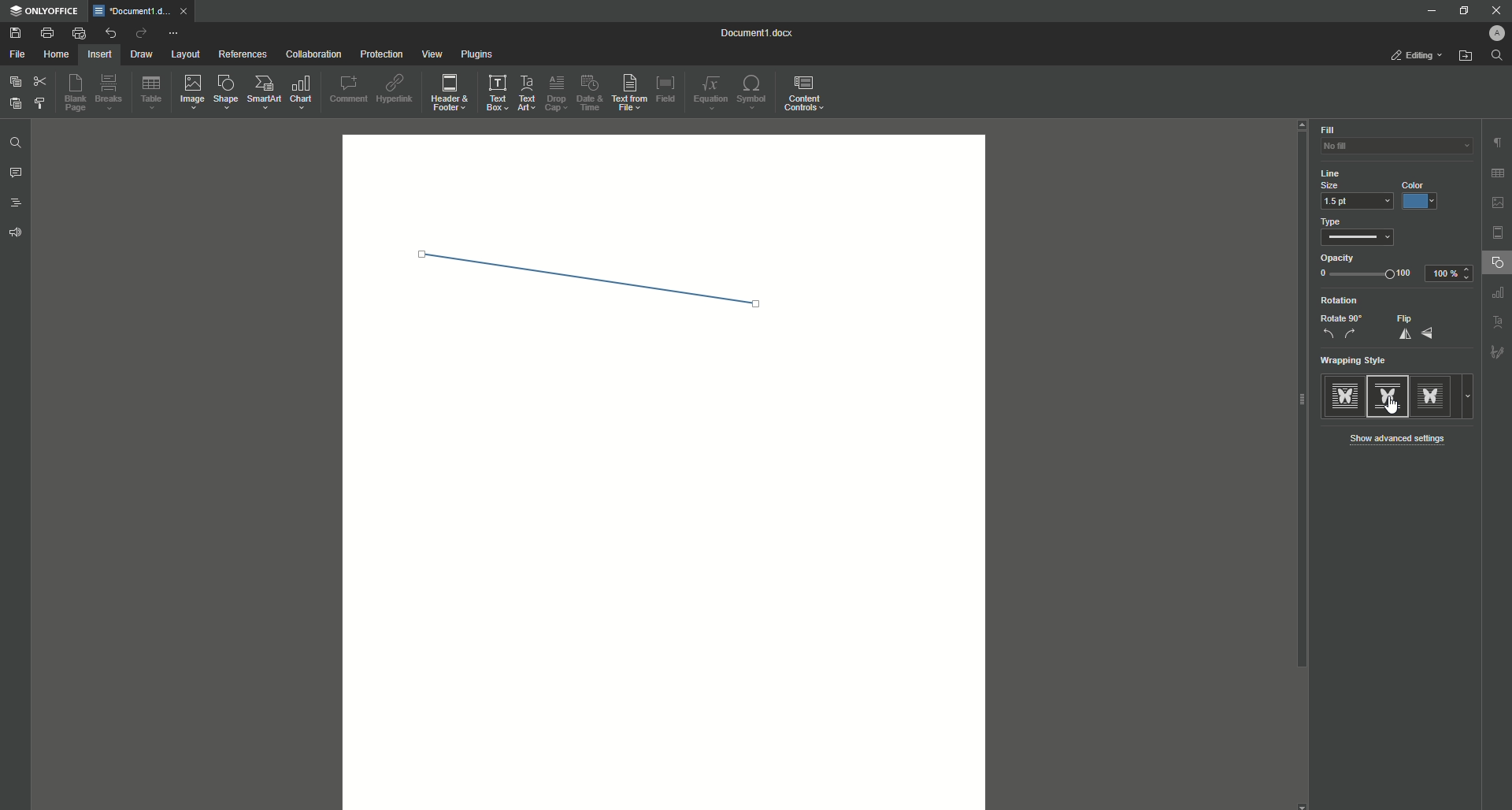  Describe the element at coordinates (47, 11) in the screenshot. I see `ONLYOFFICE` at that location.